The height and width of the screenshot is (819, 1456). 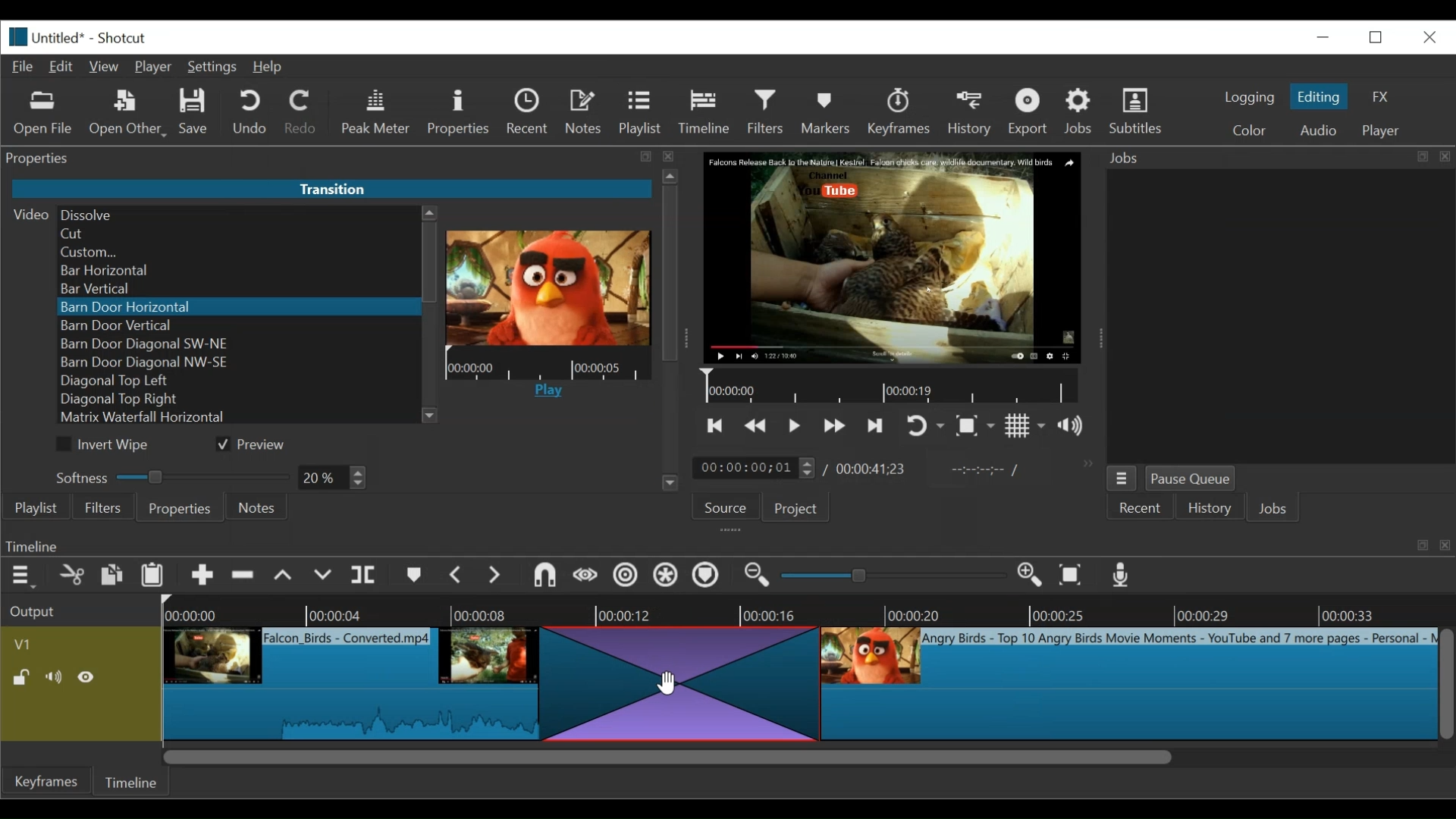 I want to click on Record audio, so click(x=1119, y=574).